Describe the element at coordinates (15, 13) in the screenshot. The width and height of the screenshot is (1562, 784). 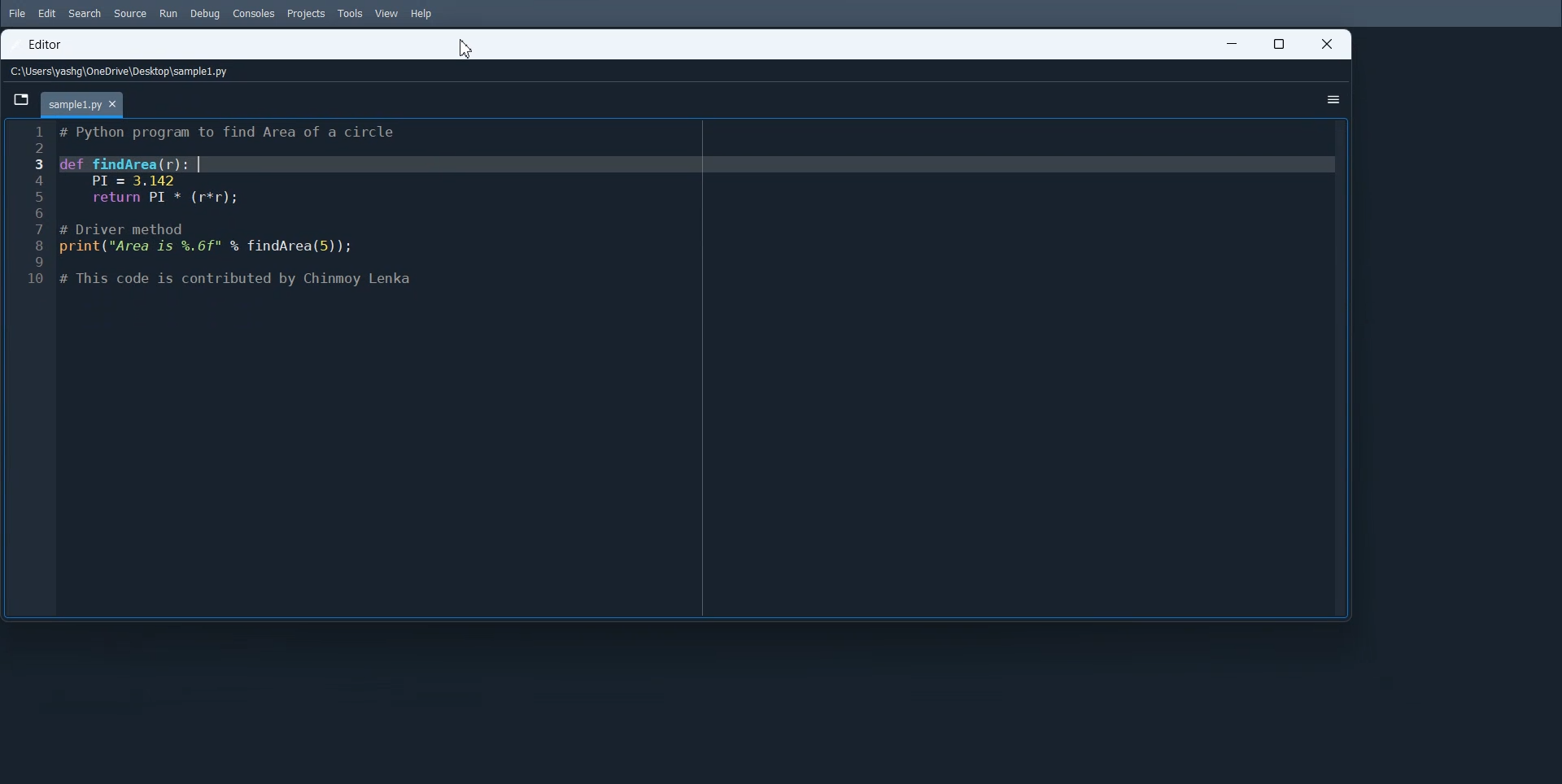
I see `File` at that location.